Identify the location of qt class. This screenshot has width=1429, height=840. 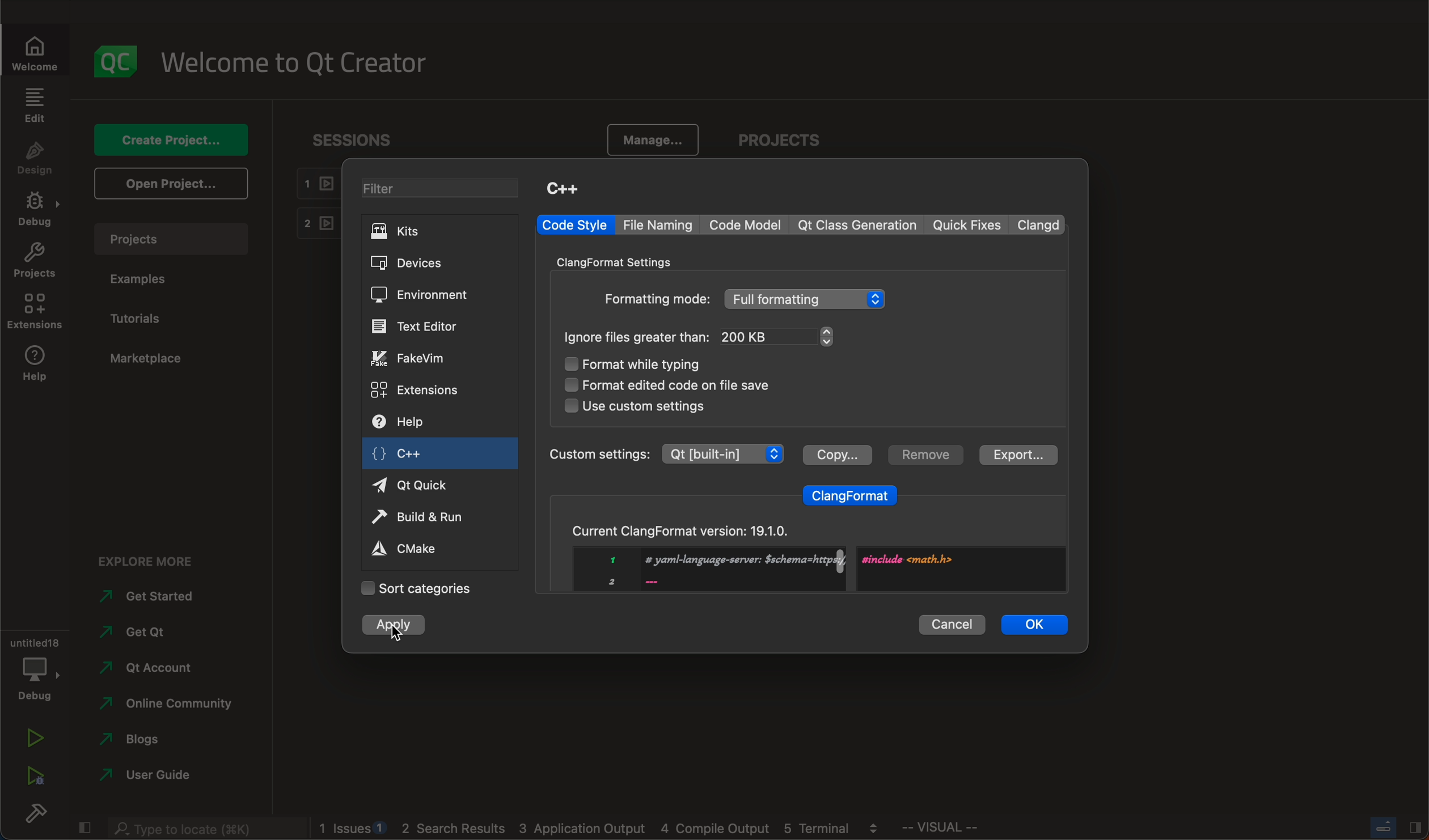
(858, 225).